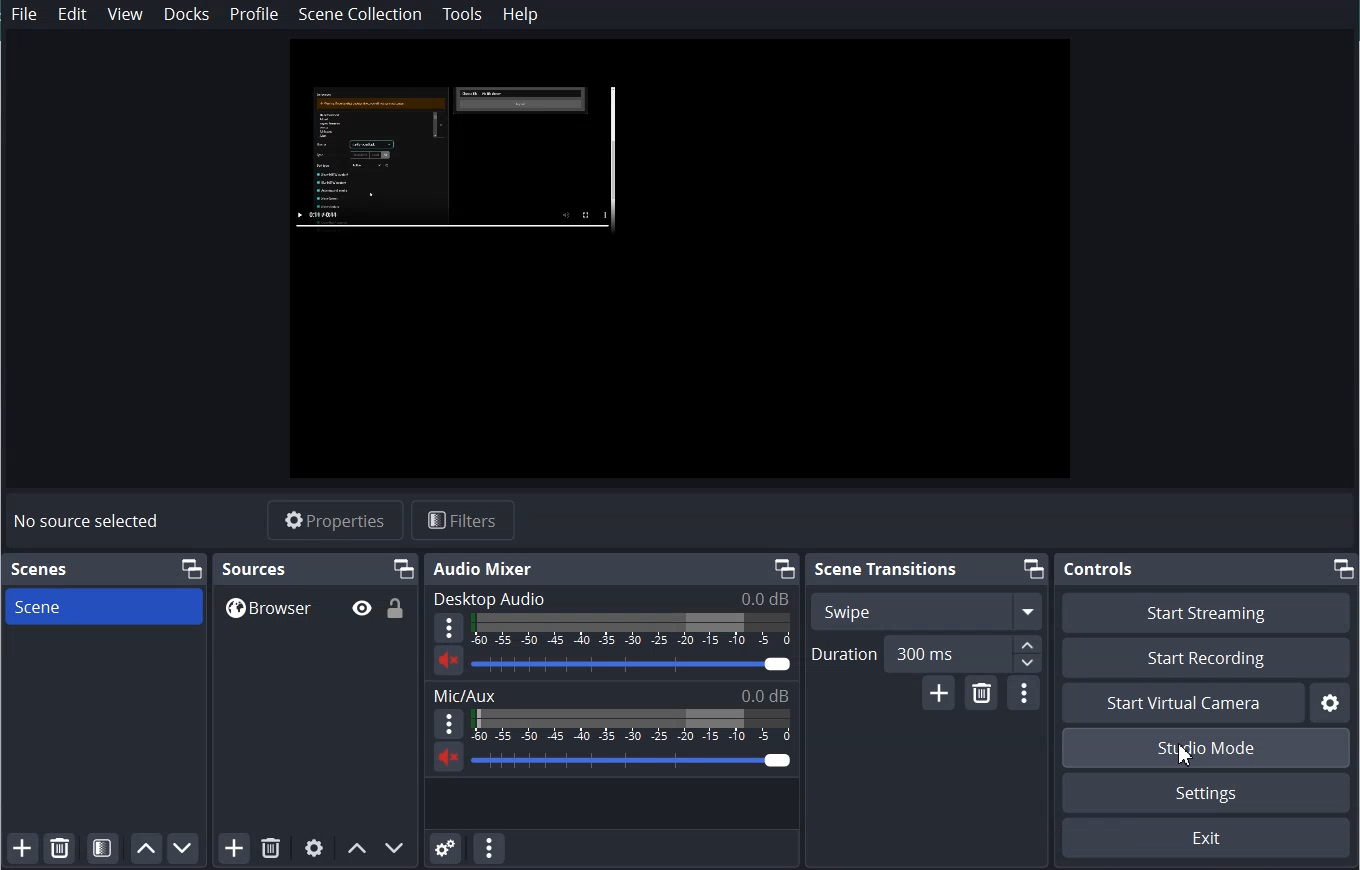 The width and height of the screenshot is (1360, 870). Describe the element at coordinates (485, 569) in the screenshot. I see `Audio Mixer` at that location.